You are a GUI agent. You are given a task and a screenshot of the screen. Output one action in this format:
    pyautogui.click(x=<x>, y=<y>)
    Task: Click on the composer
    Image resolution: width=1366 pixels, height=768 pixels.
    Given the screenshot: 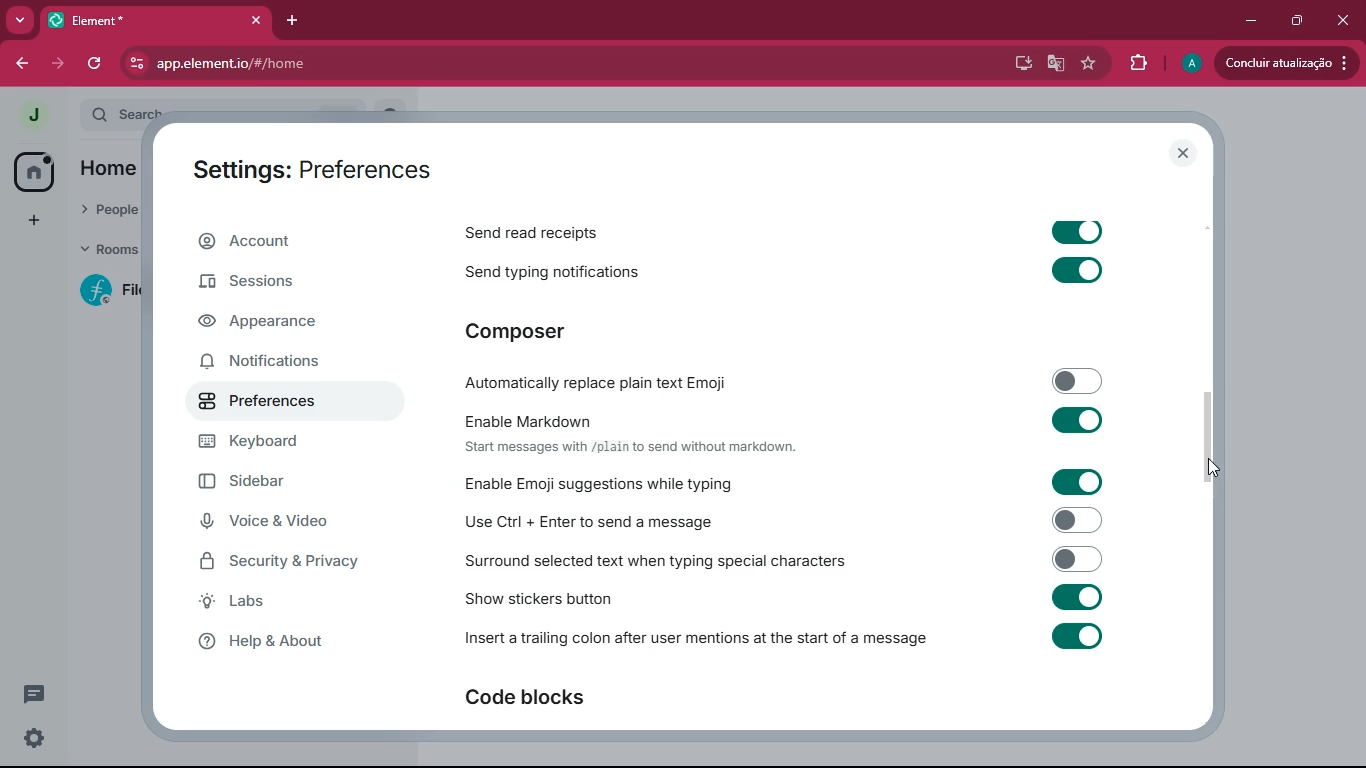 What is the action you would take?
    pyautogui.click(x=532, y=331)
    